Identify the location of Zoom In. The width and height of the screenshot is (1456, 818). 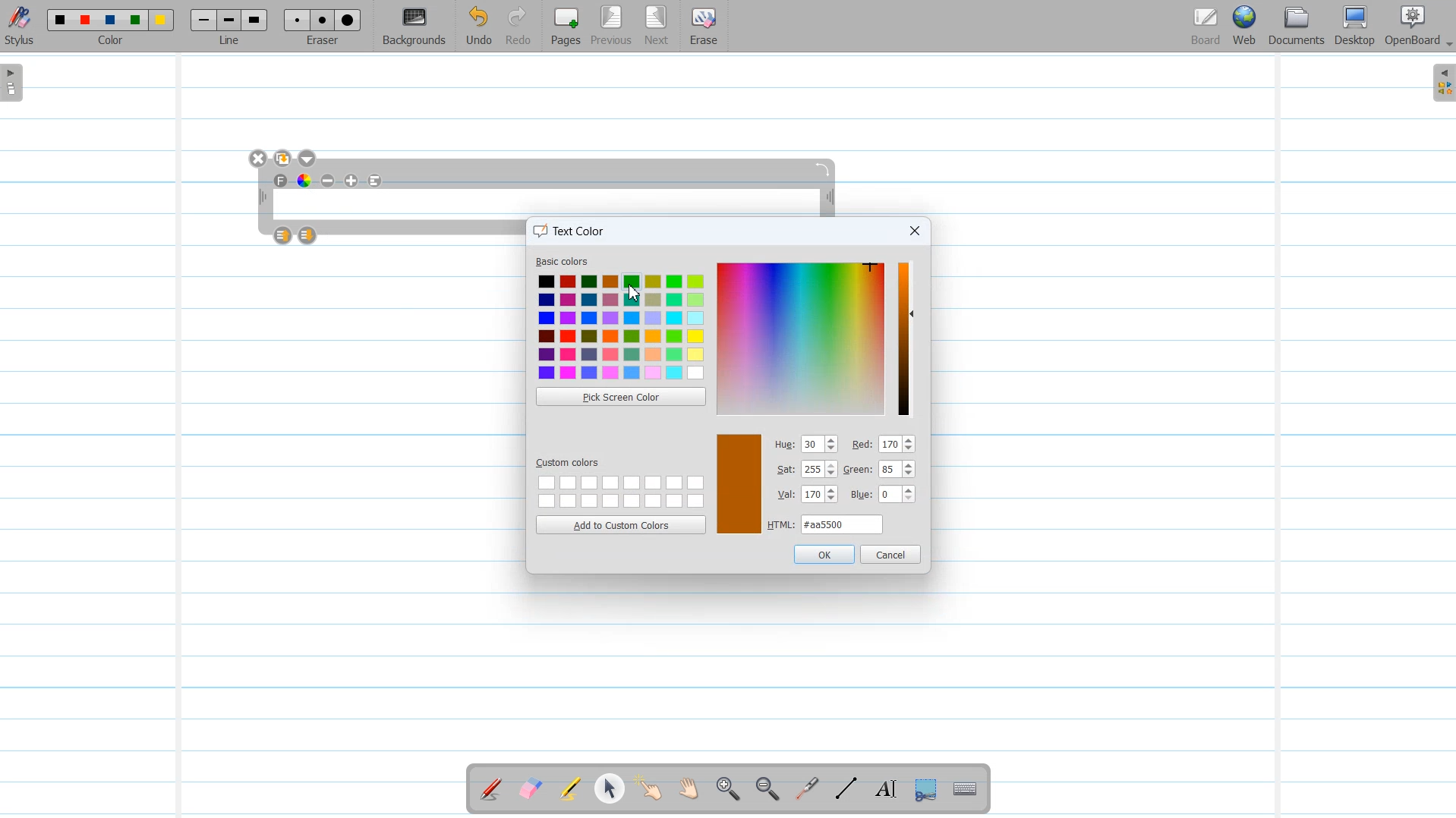
(727, 790).